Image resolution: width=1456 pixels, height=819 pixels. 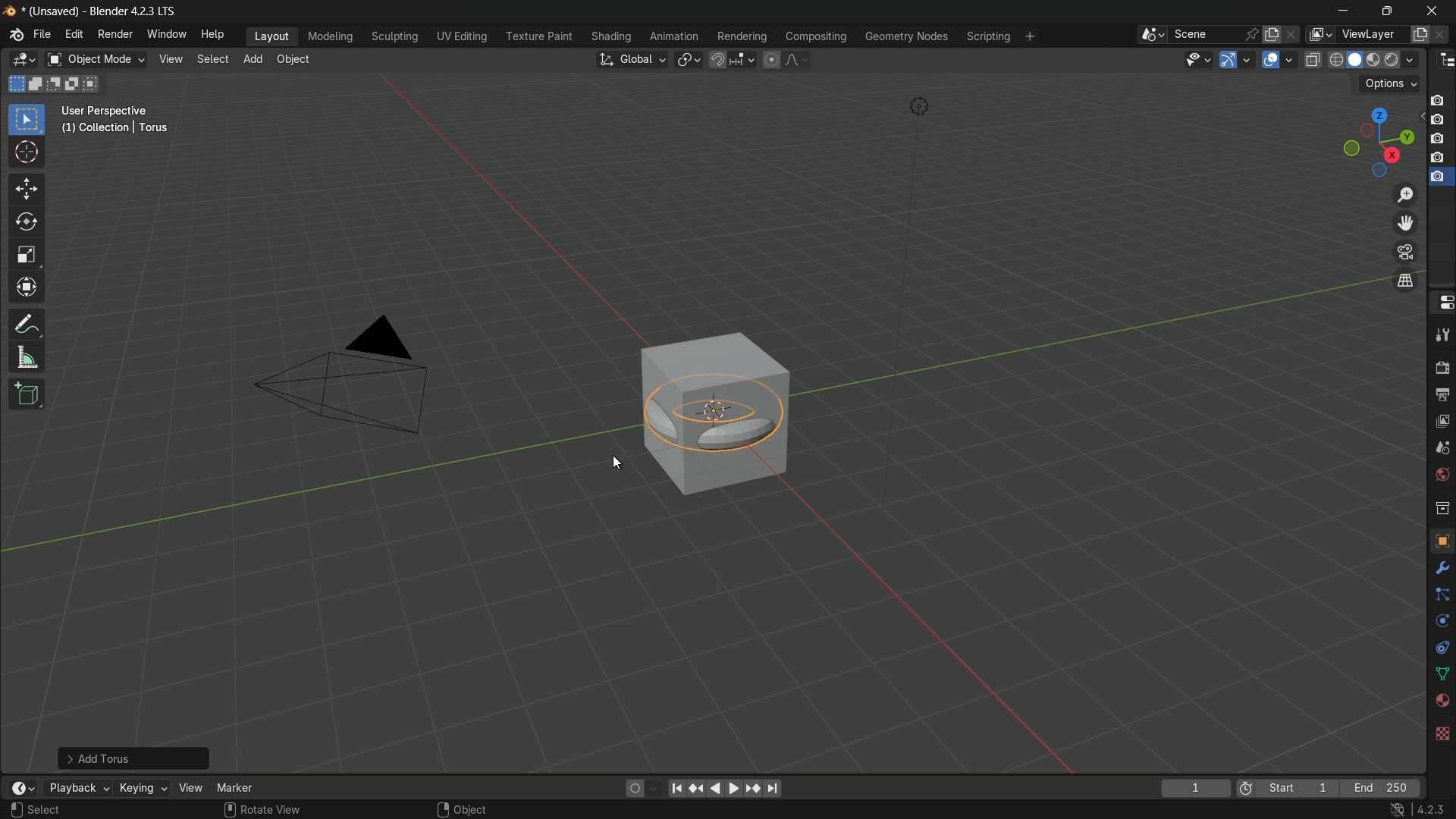 What do you see at coordinates (73, 33) in the screenshot?
I see `edit menu` at bounding box center [73, 33].